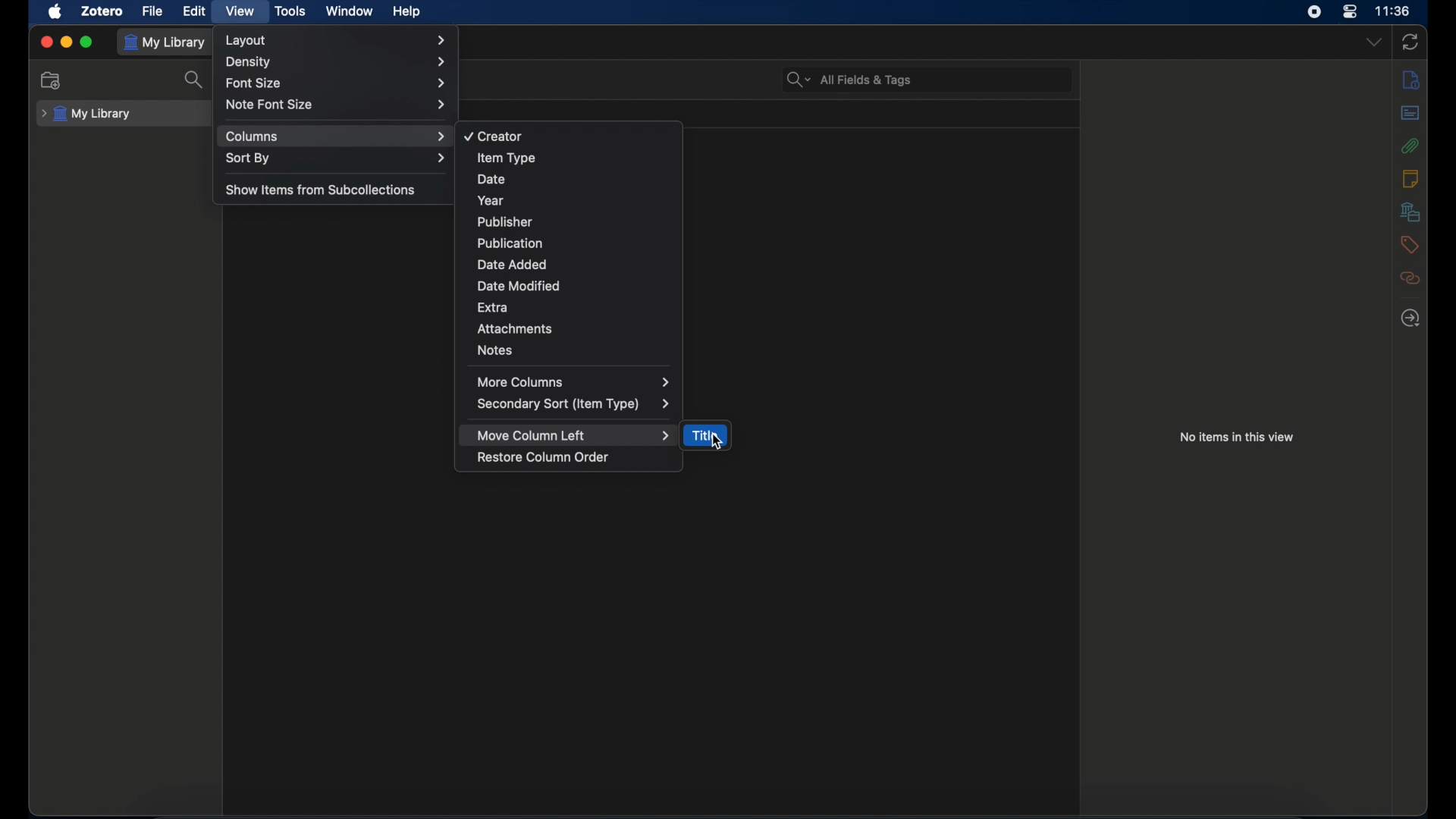 The width and height of the screenshot is (1456, 819). I want to click on publication, so click(510, 243).